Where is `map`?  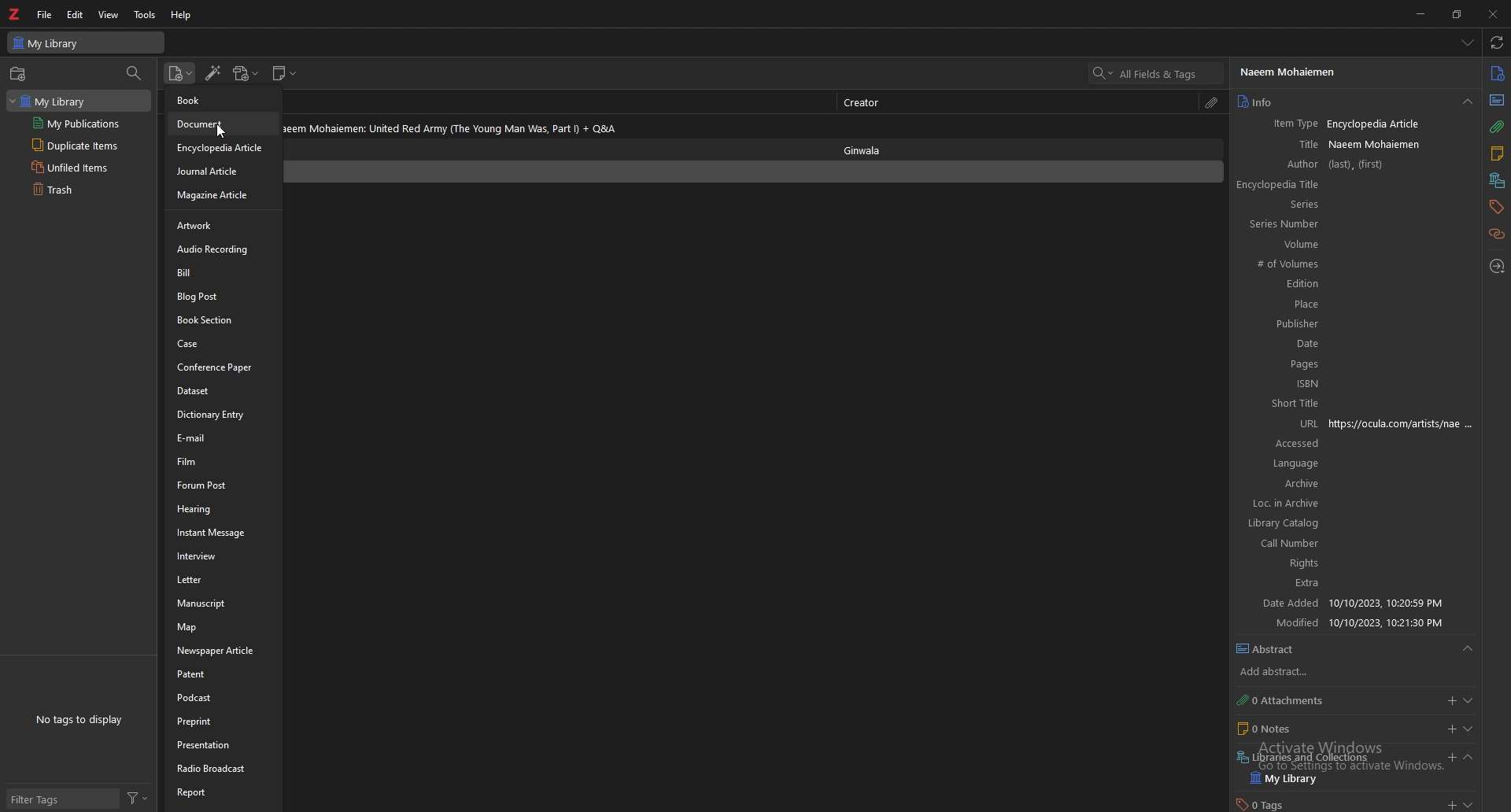 map is located at coordinates (221, 627).